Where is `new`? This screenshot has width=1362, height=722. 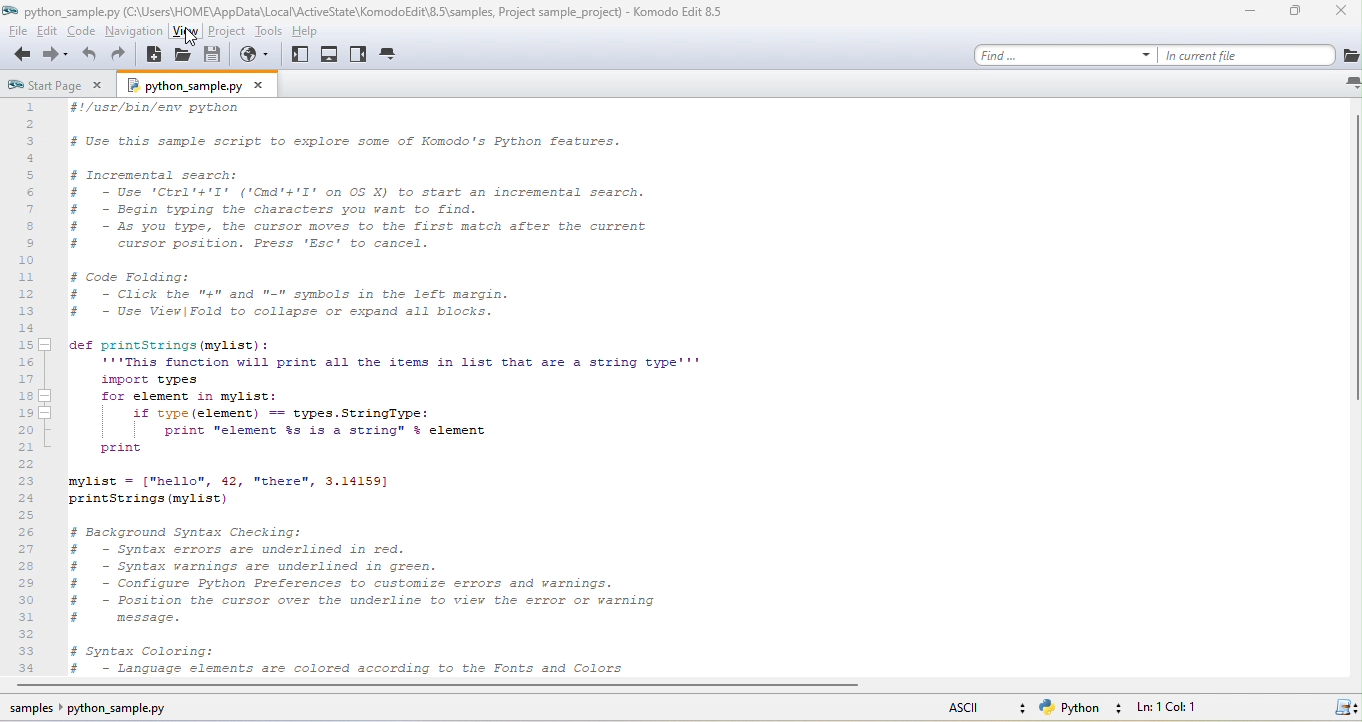 new is located at coordinates (153, 55).